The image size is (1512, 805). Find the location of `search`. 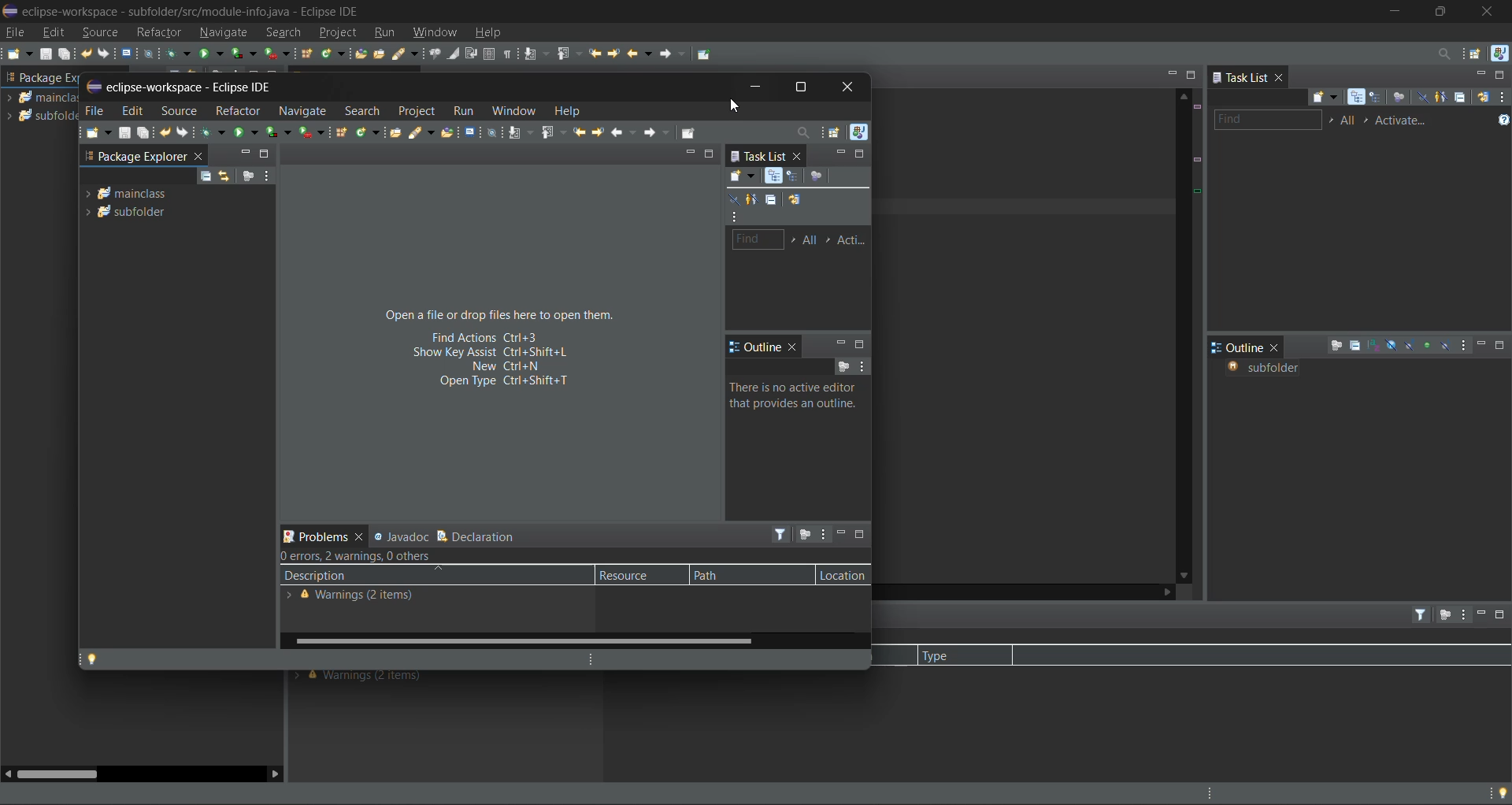

search is located at coordinates (361, 112).